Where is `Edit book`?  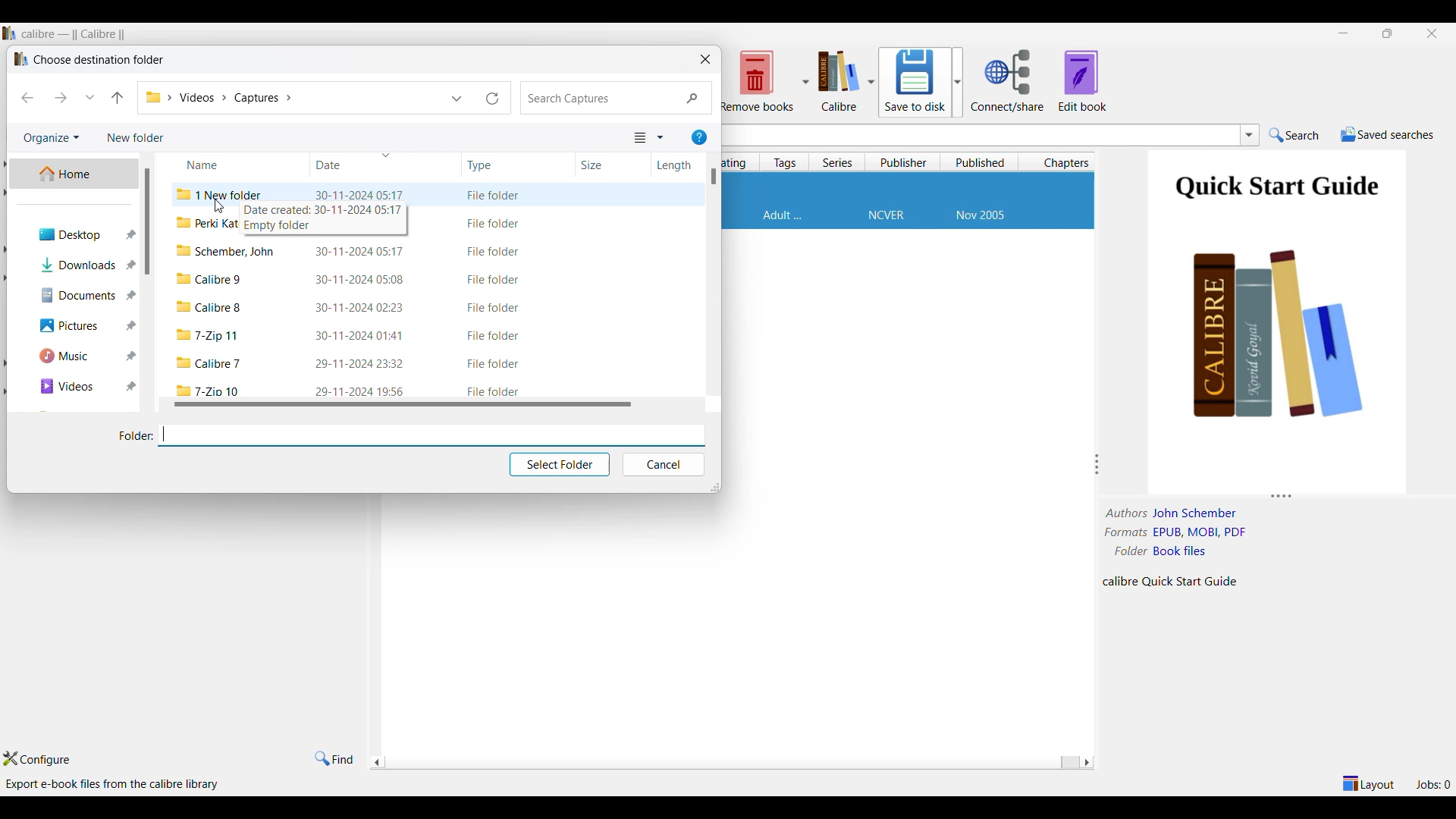
Edit book is located at coordinates (1083, 80).